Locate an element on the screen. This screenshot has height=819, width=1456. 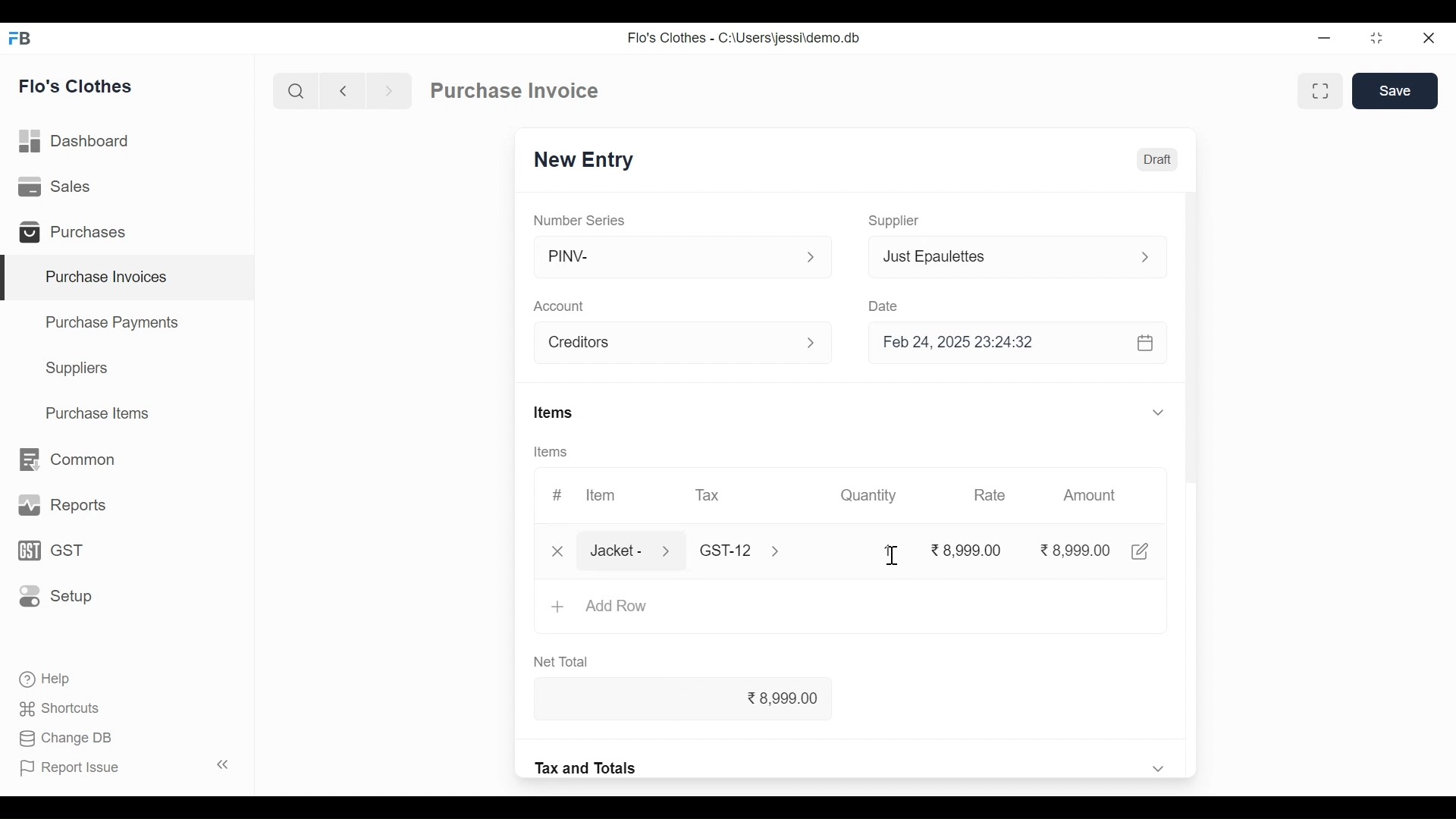
Shortcuts is located at coordinates (60, 710).